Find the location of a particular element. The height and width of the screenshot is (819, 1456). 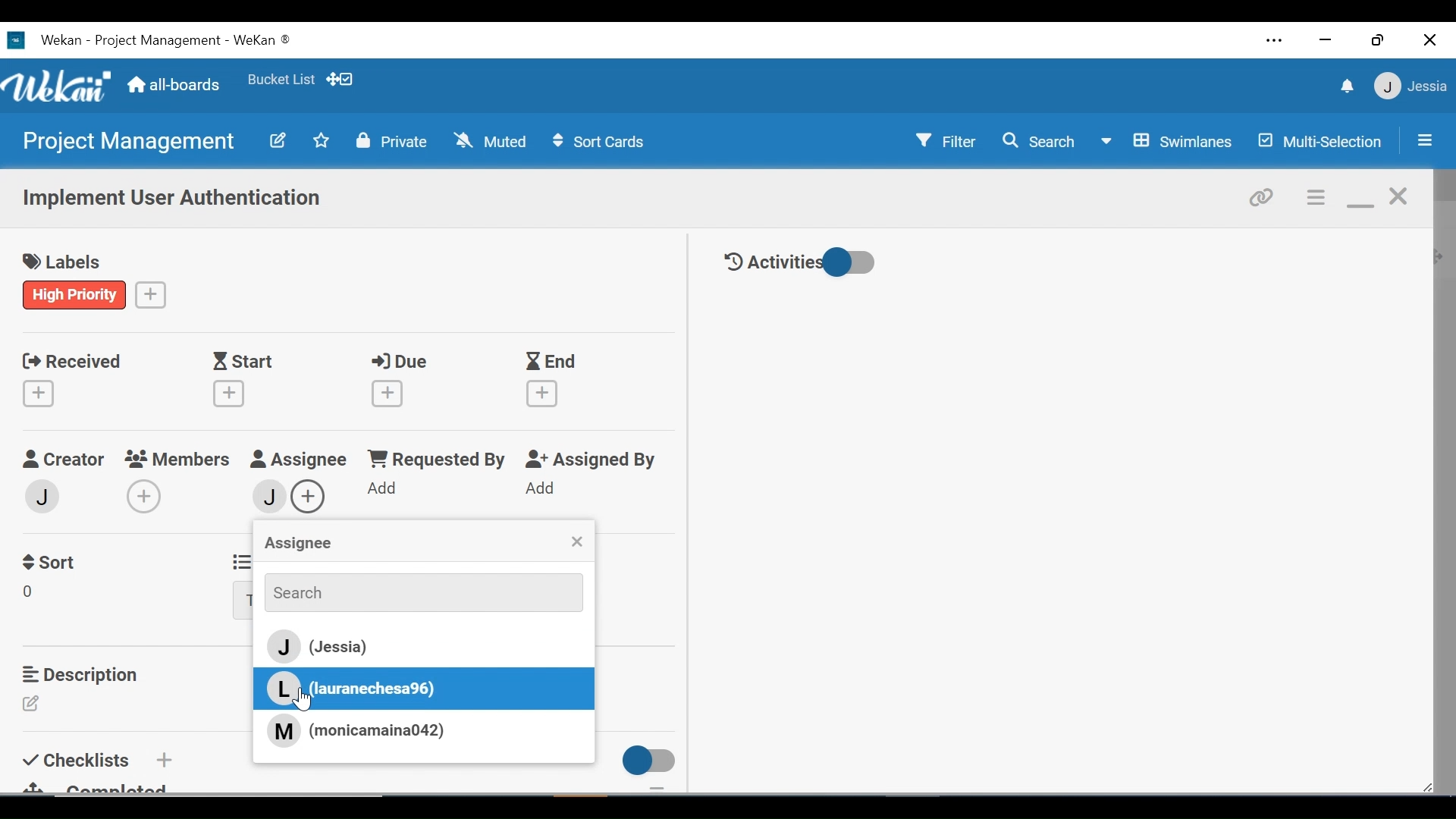

Edit is located at coordinates (277, 140).